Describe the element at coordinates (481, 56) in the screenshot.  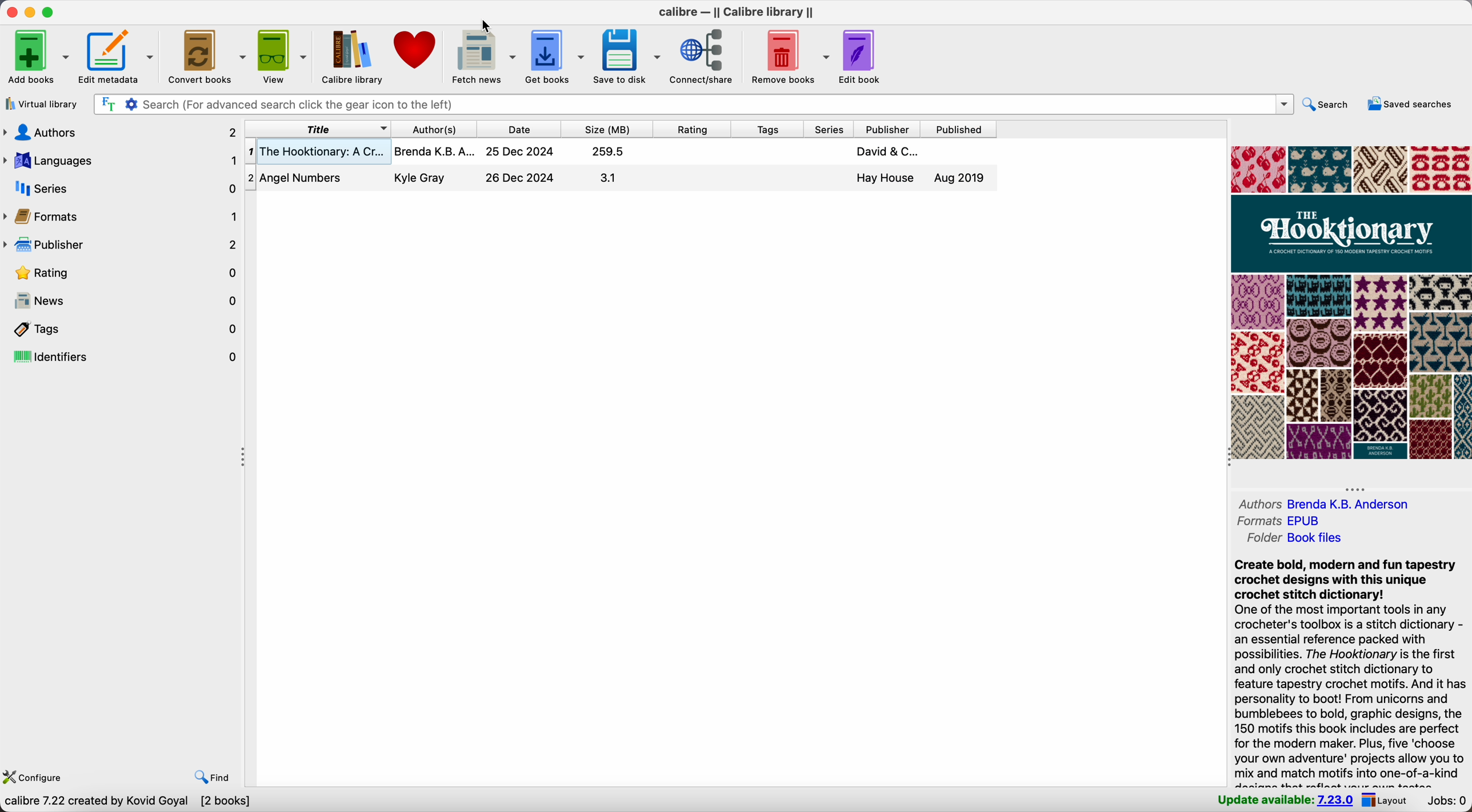
I see `fetch news` at that location.